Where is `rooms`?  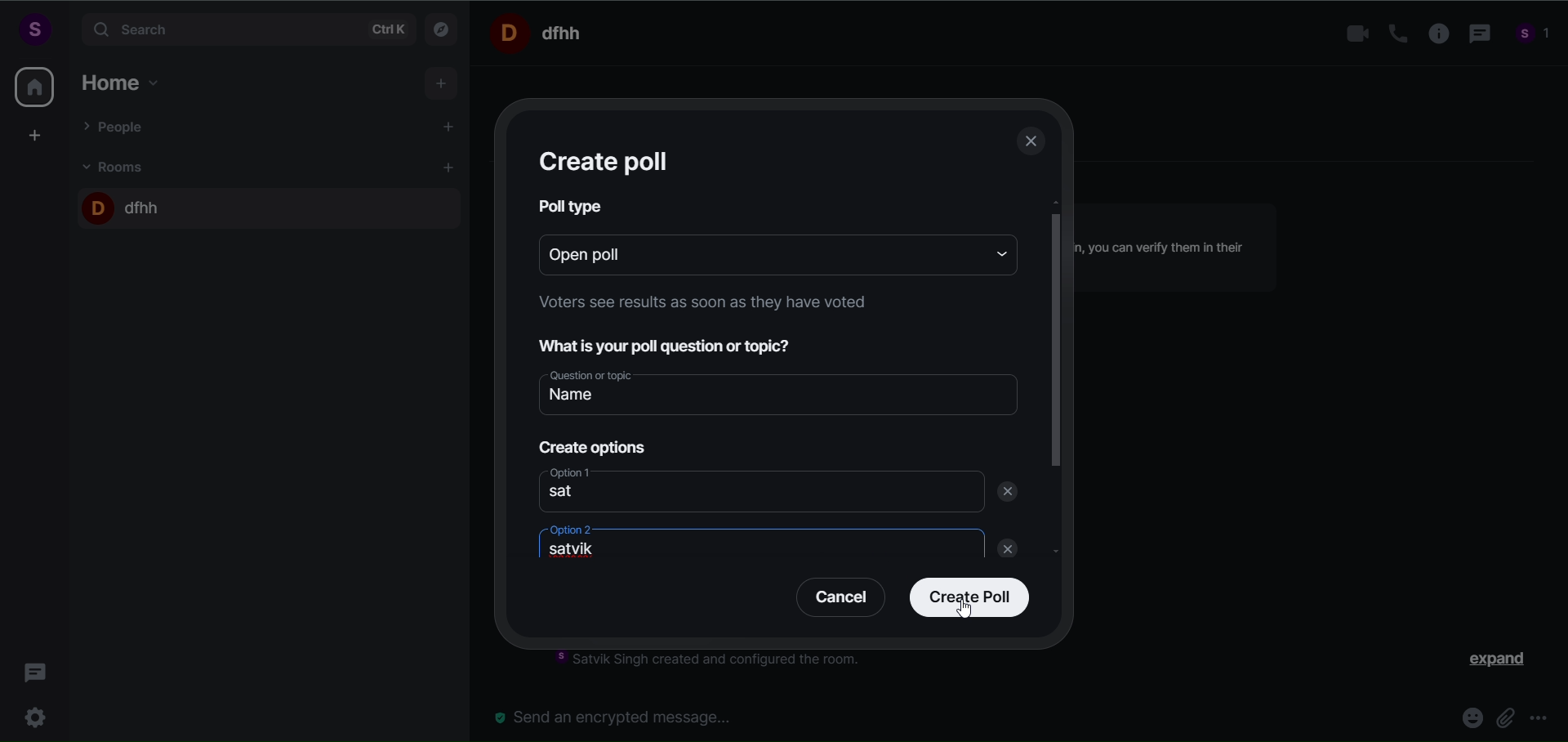 rooms is located at coordinates (118, 166).